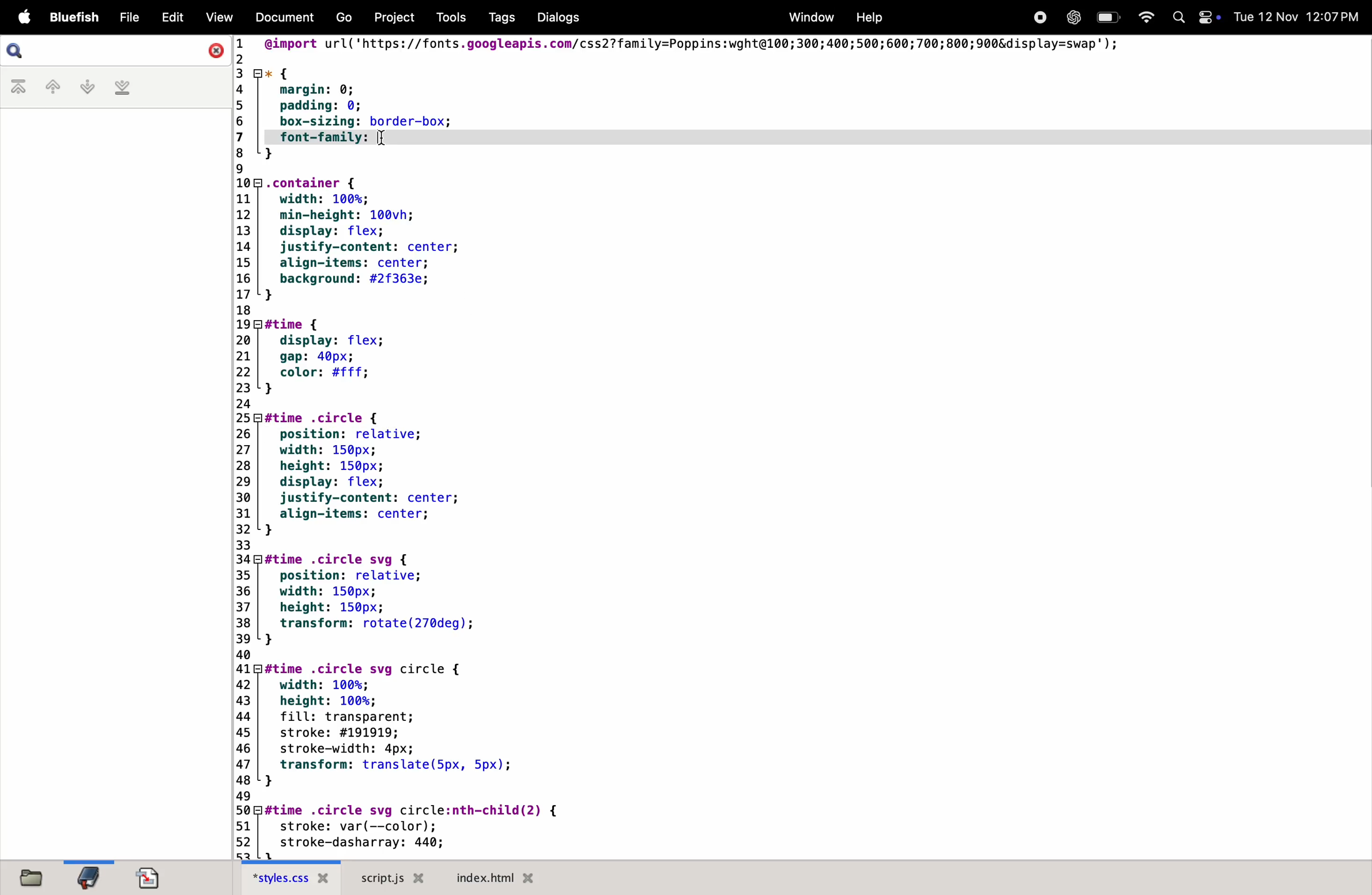 This screenshot has height=895, width=1372. Describe the element at coordinates (169, 17) in the screenshot. I see `edit` at that location.